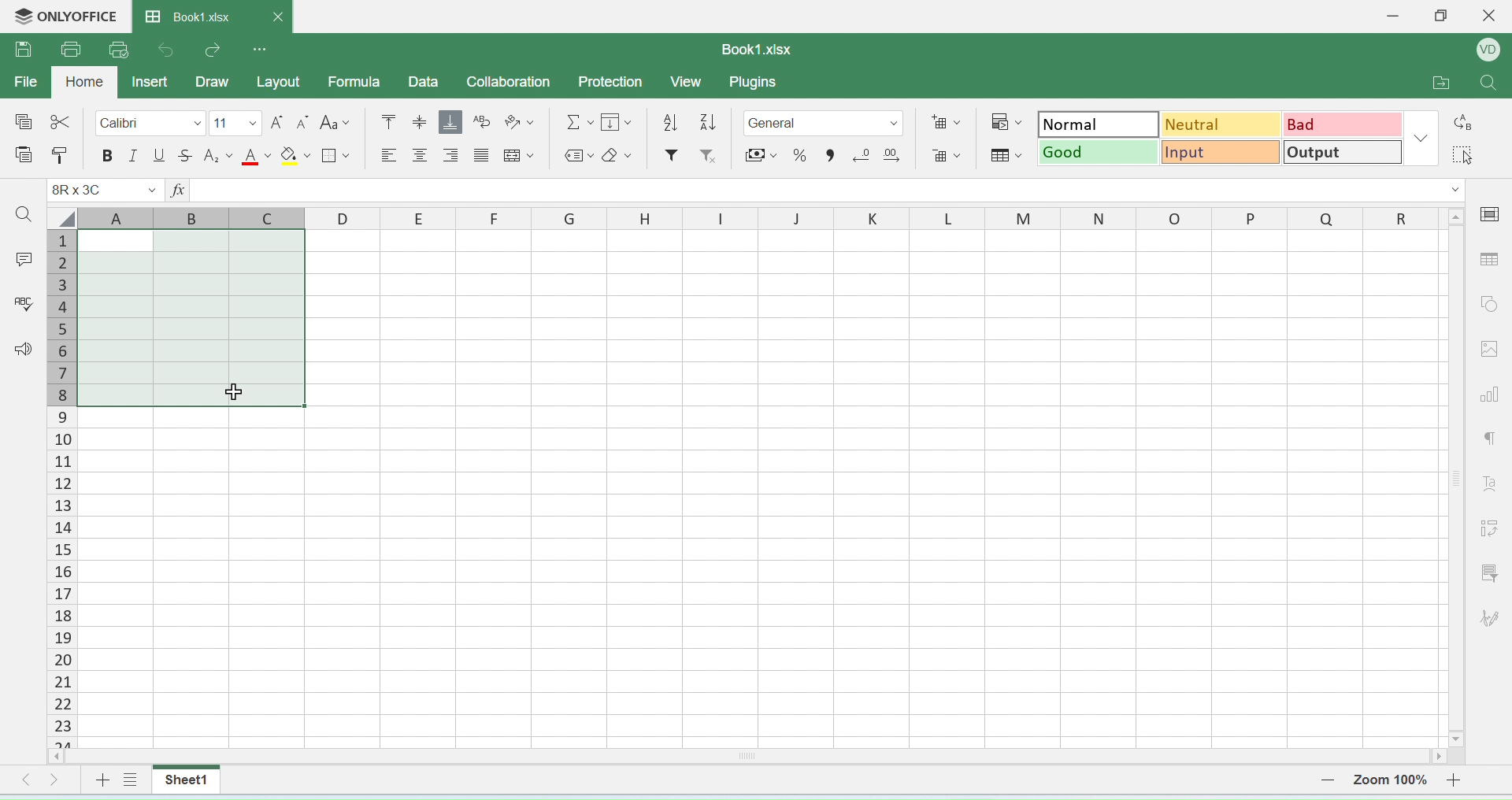 This screenshot has width=1512, height=800. What do you see at coordinates (1218, 124) in the screenshot?
I see `neutral` at bounding box center [1218, 124].